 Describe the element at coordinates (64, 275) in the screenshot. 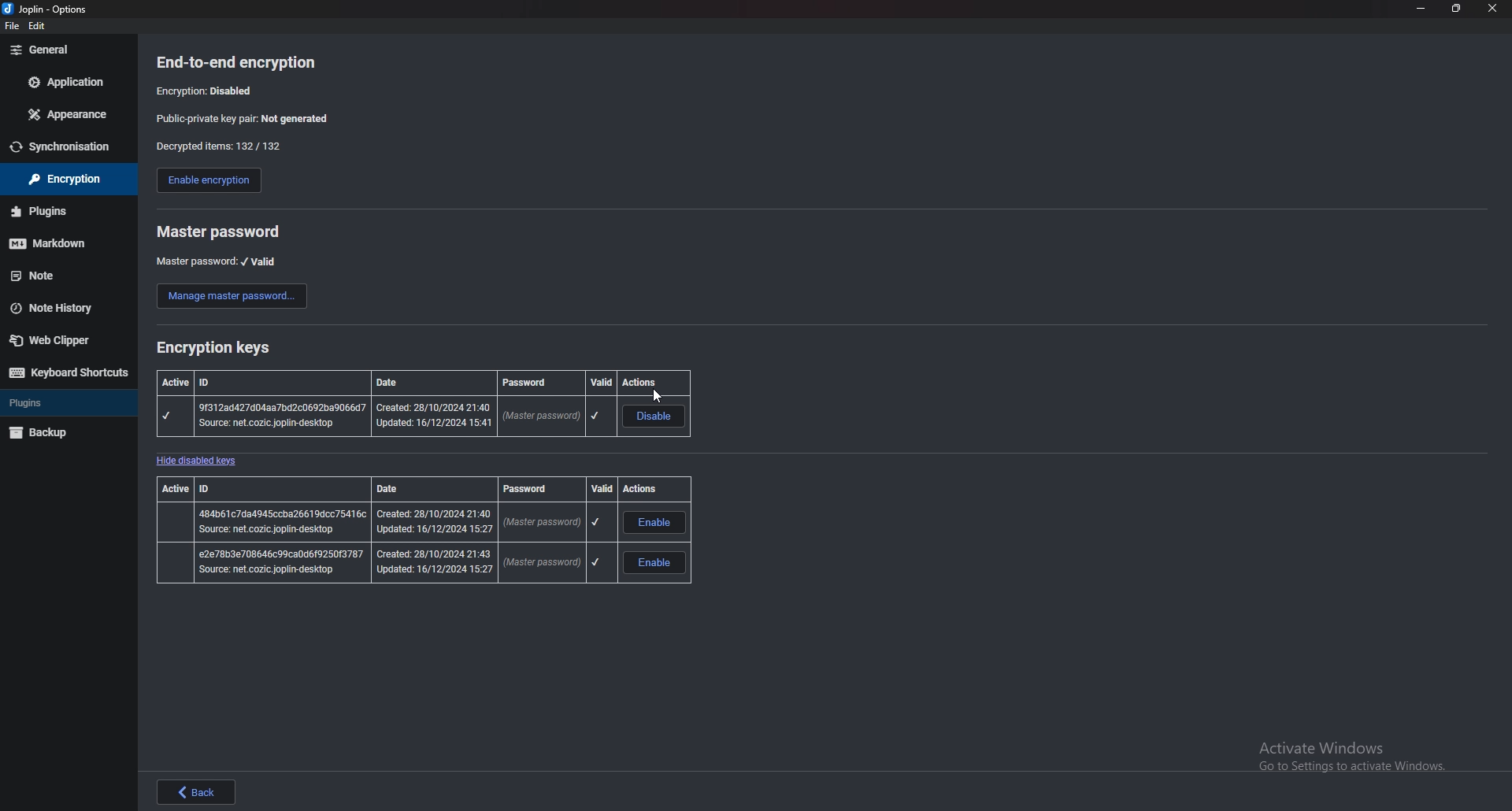

I see `note` at that location.